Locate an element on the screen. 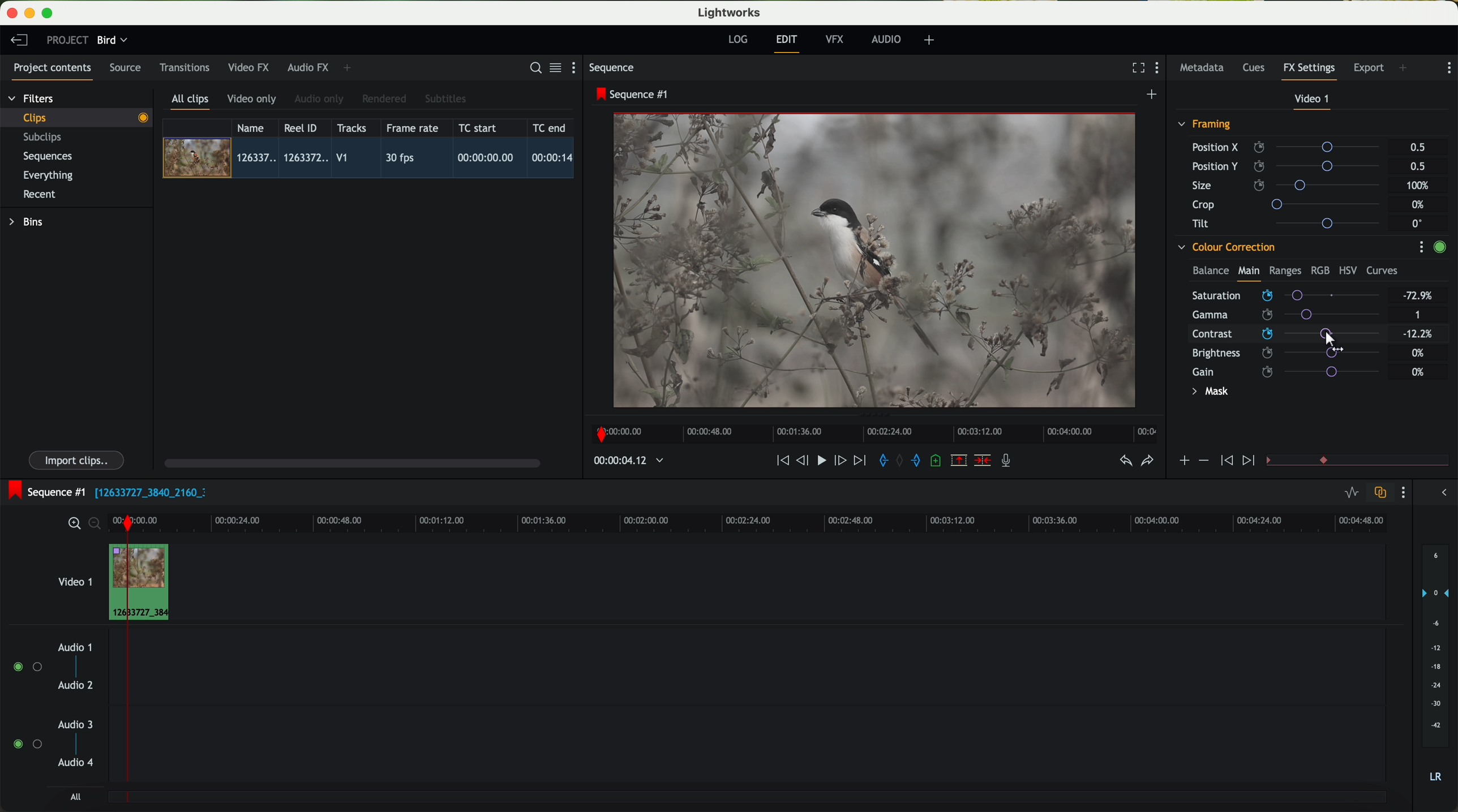 This screenshot has height=812, width=1458. gain is located at coordinates (1293, 371).